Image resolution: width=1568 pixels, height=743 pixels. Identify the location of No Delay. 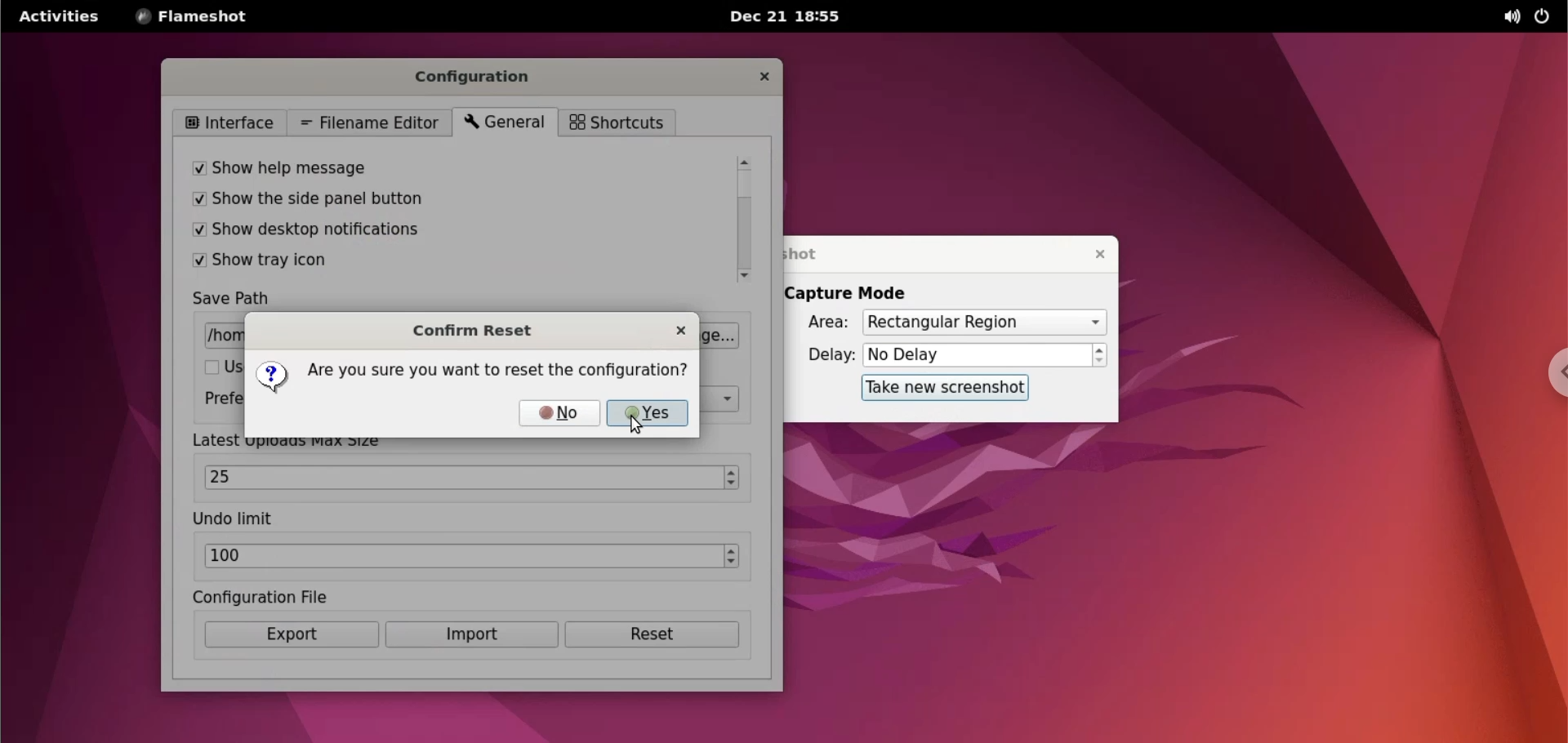
(977, 356).